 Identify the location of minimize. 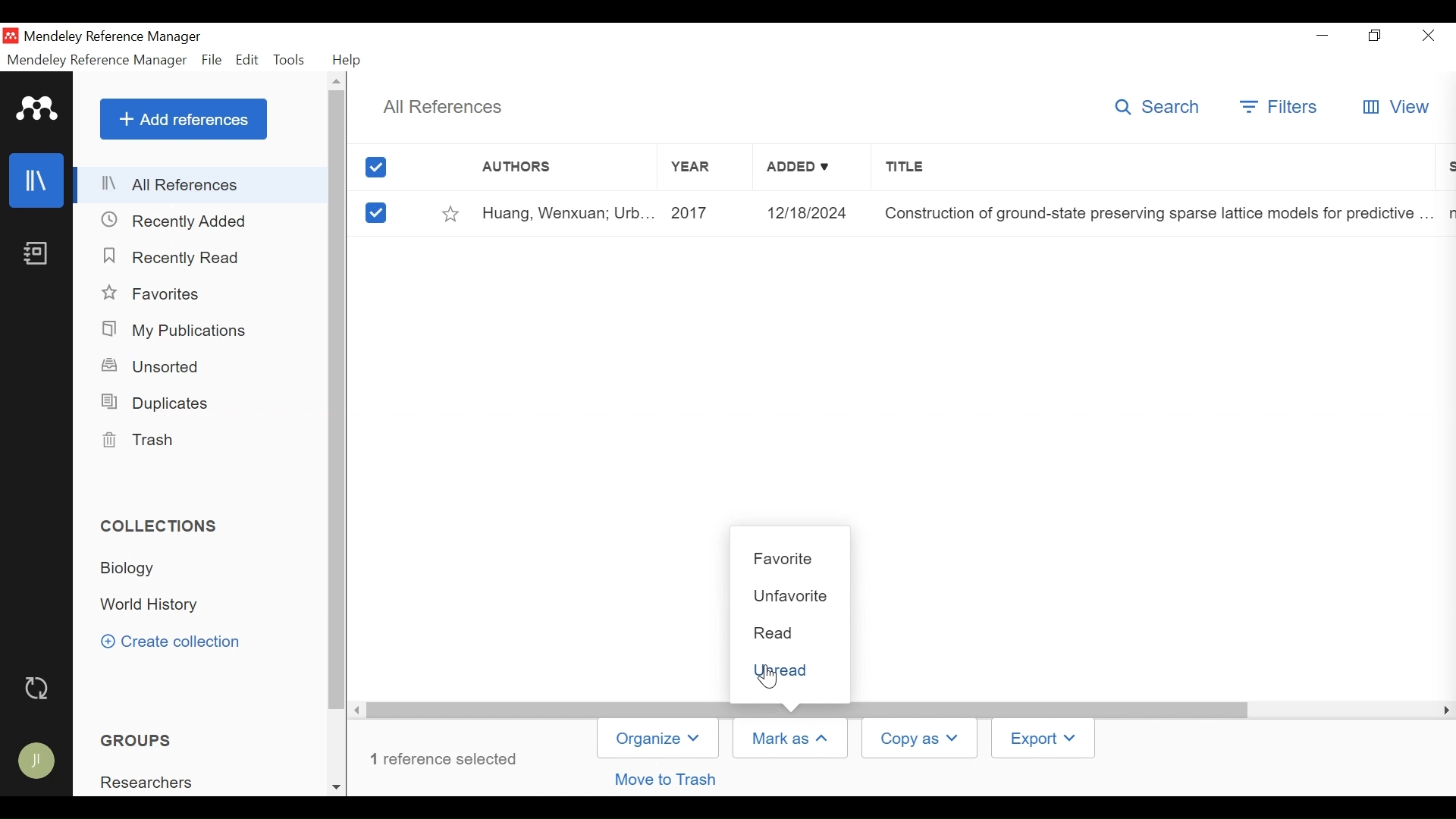
(1323, 33).